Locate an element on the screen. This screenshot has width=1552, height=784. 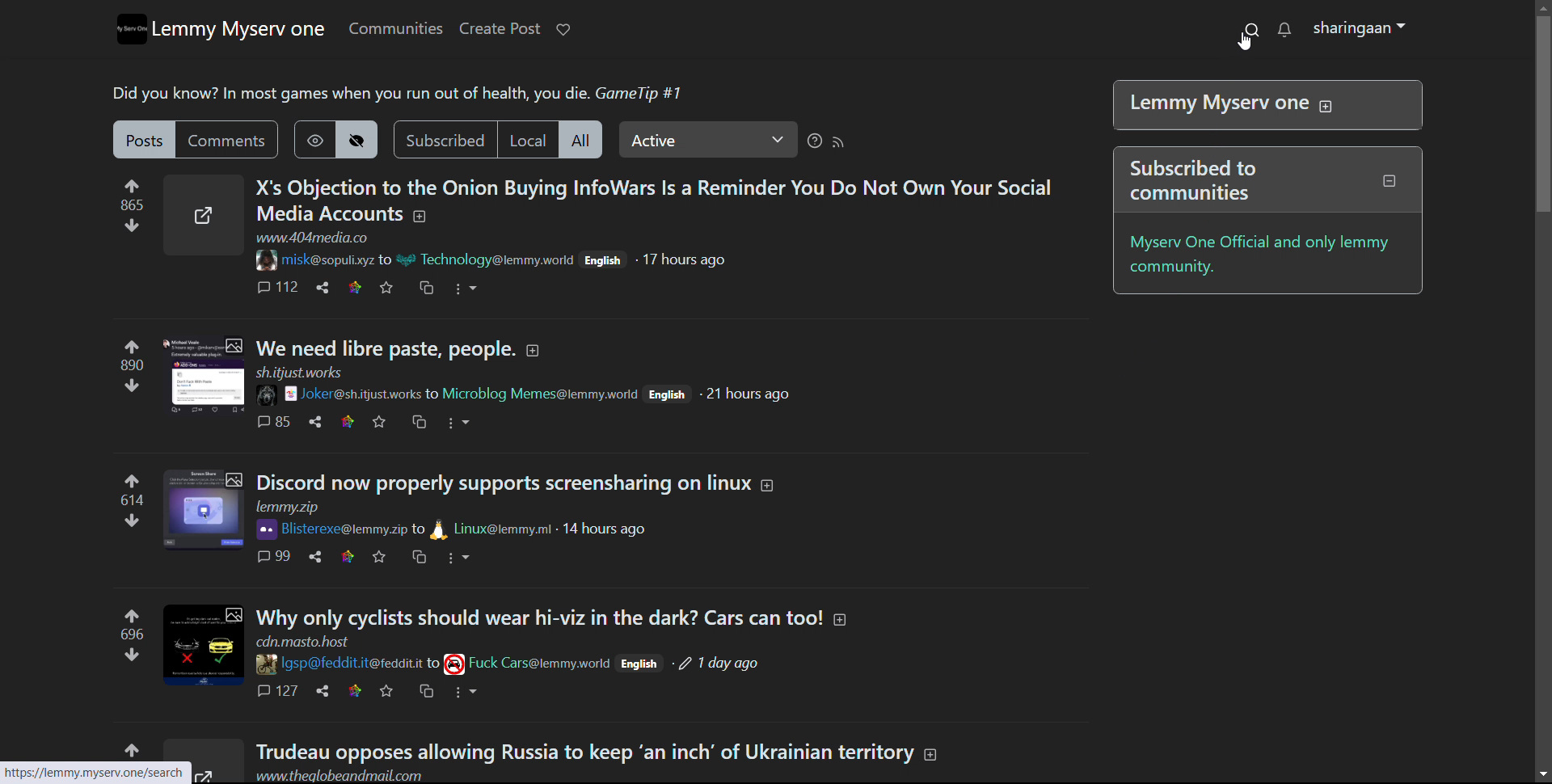
sharingaan(profile) is located at coordinates (1362, 28).